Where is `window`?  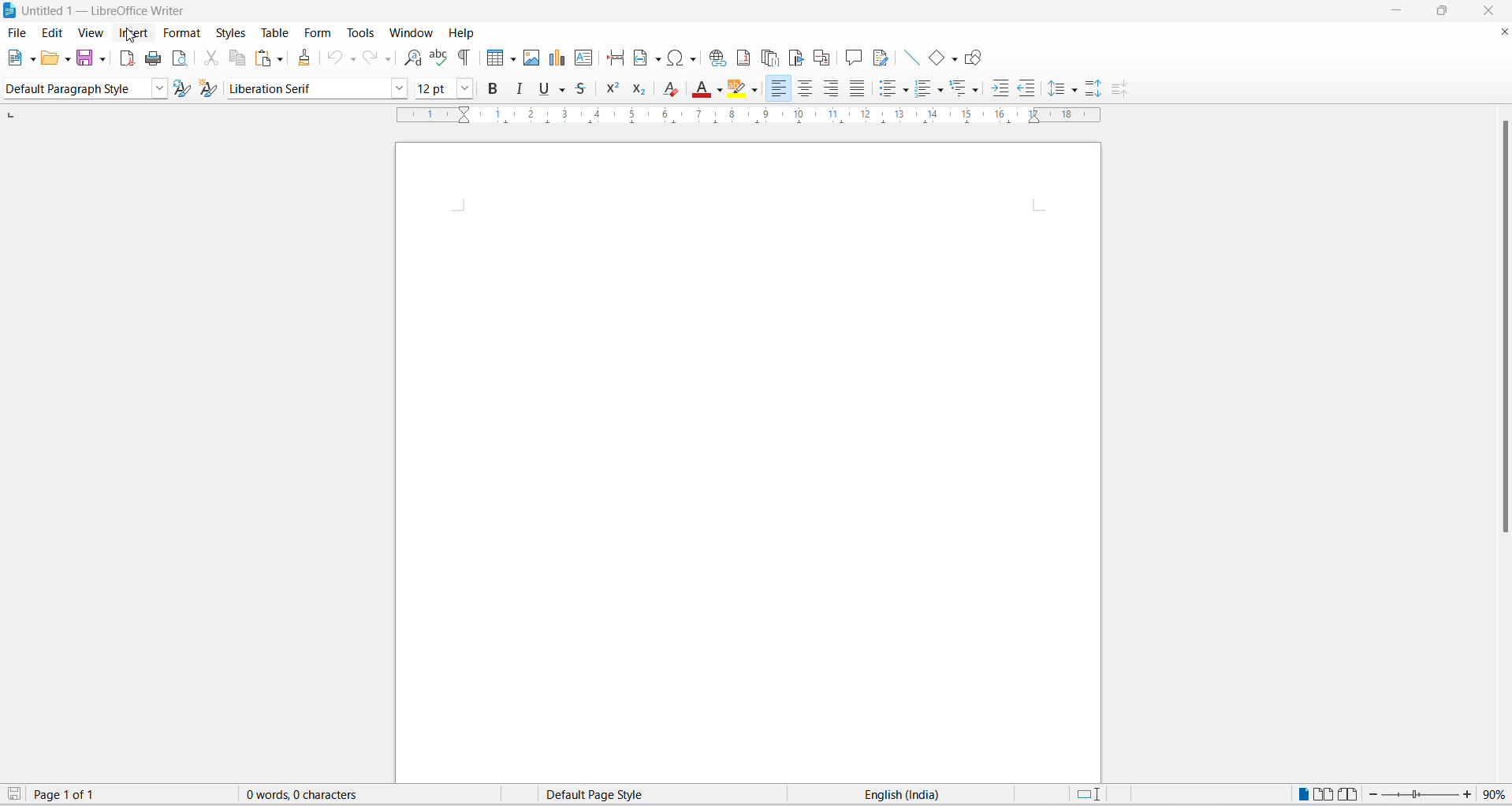
window is located at coordinates (408, 33).